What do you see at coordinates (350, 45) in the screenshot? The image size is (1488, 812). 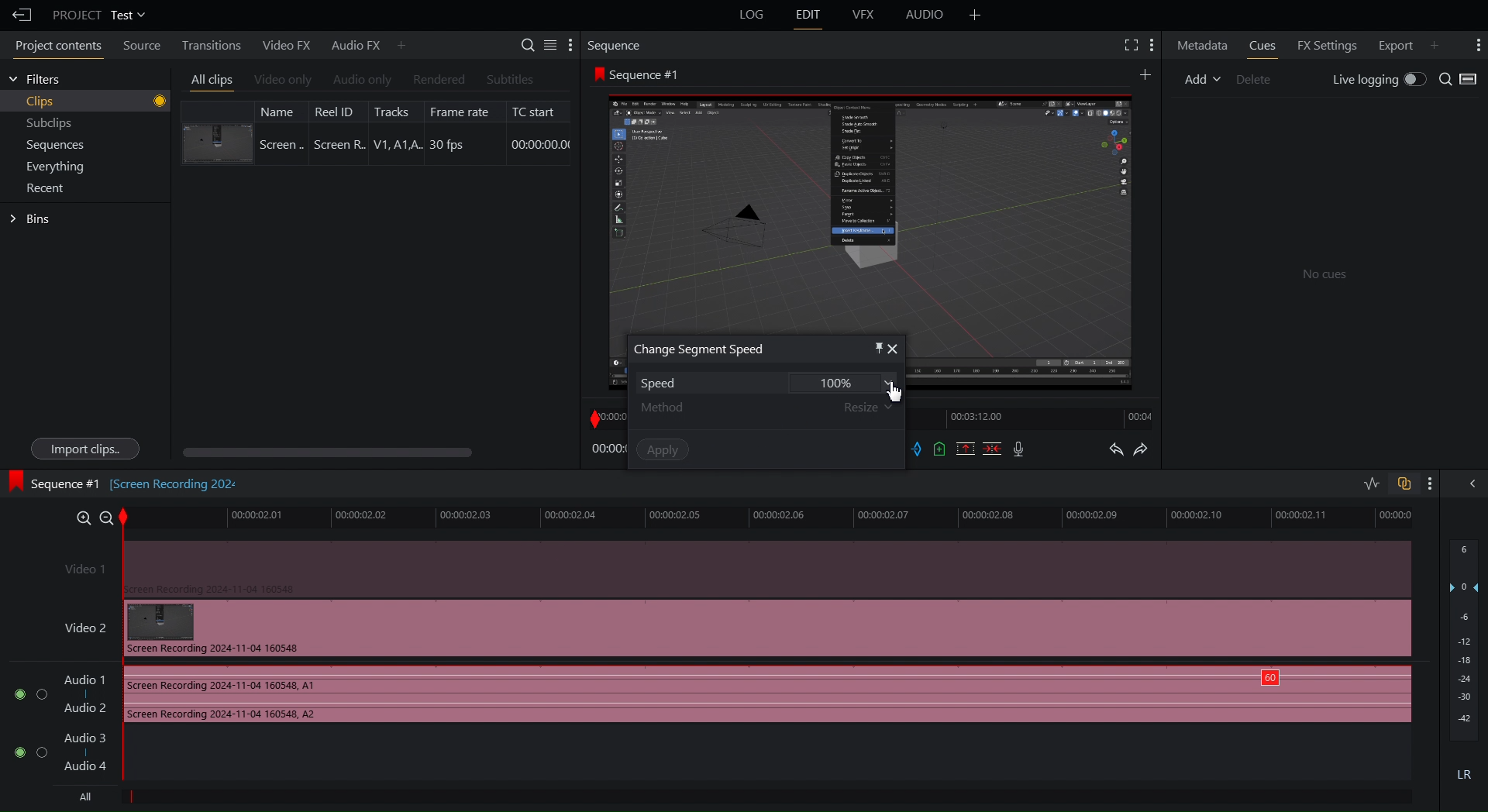 I see `Audio FX` at bounding box center [350, 45].